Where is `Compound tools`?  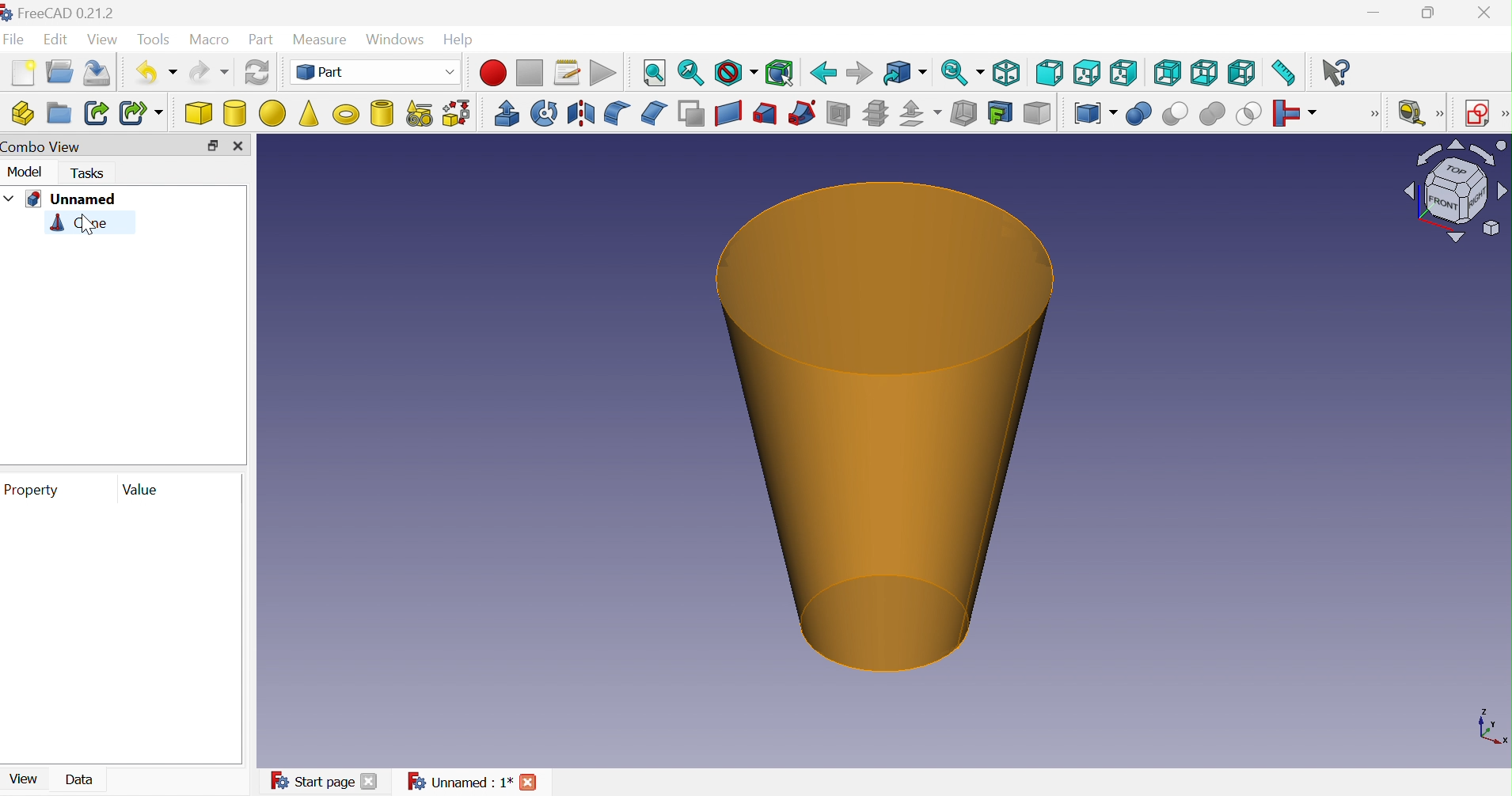 Compound tools is located at coordinates (1095, 115).